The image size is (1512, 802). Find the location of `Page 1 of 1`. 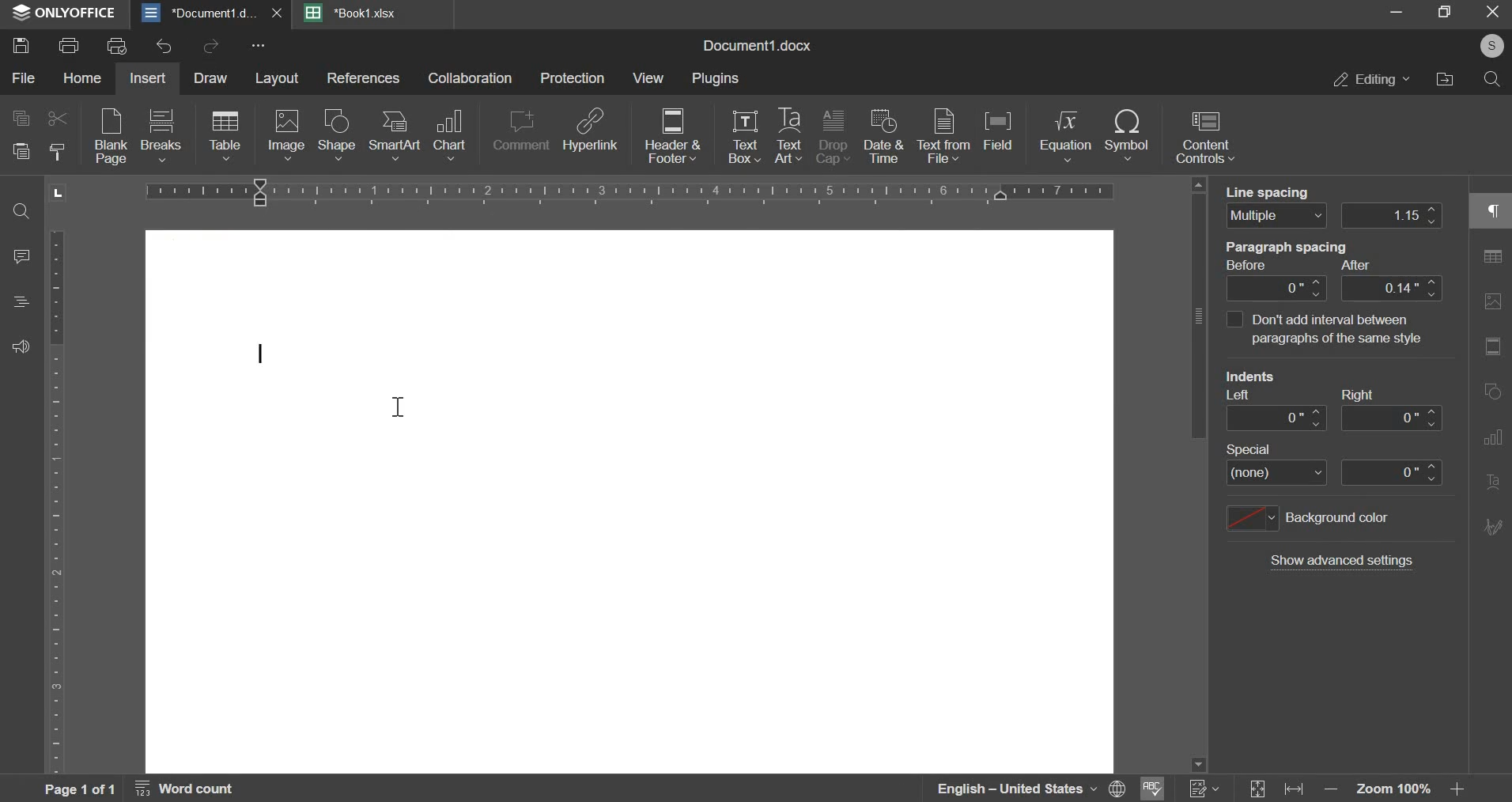

Page 1 of 1 is located at coordinates (59, 791).